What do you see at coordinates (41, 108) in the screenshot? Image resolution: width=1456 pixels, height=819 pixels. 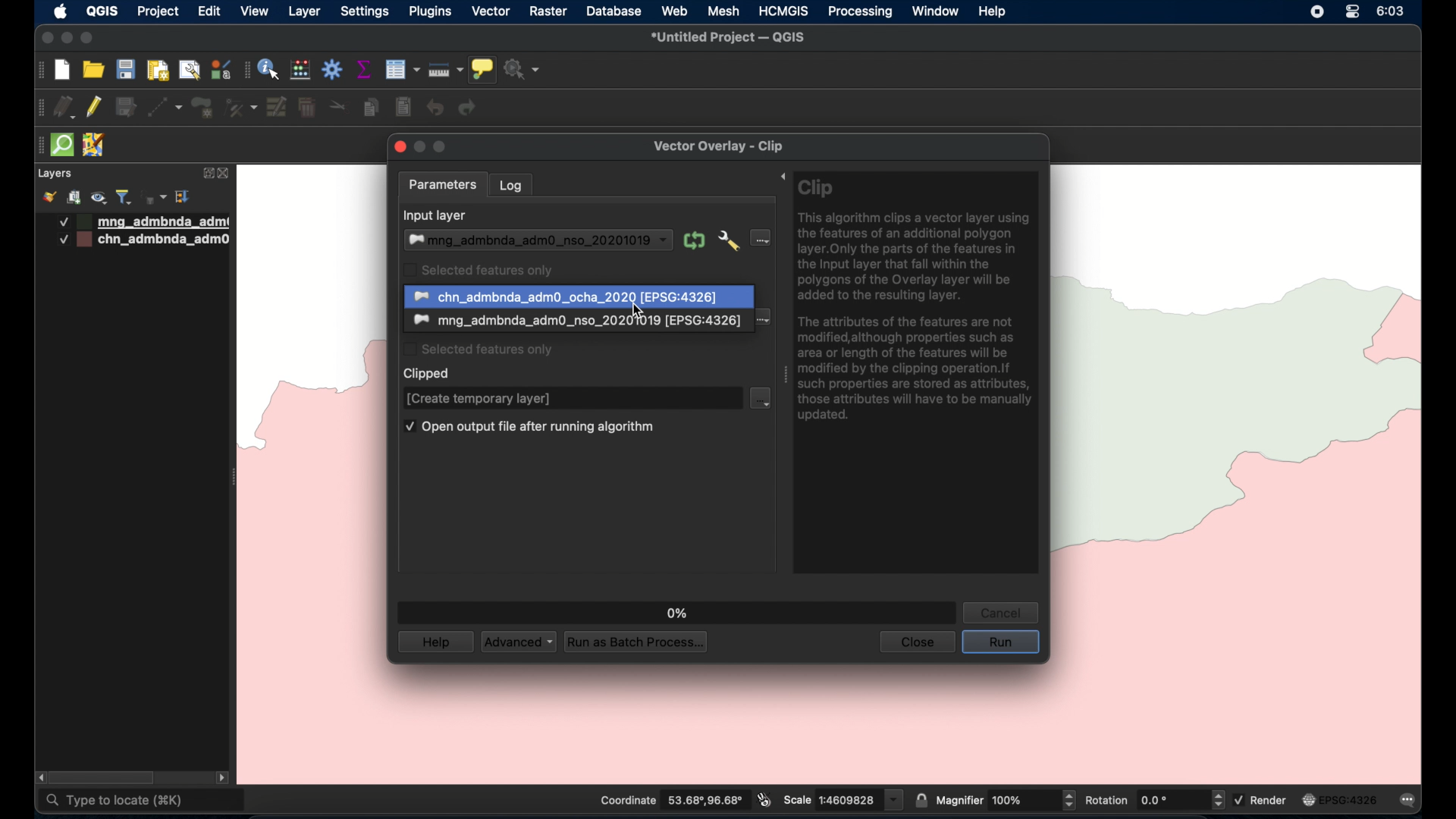 I see `drag handles` at bounding box center [41, 108].